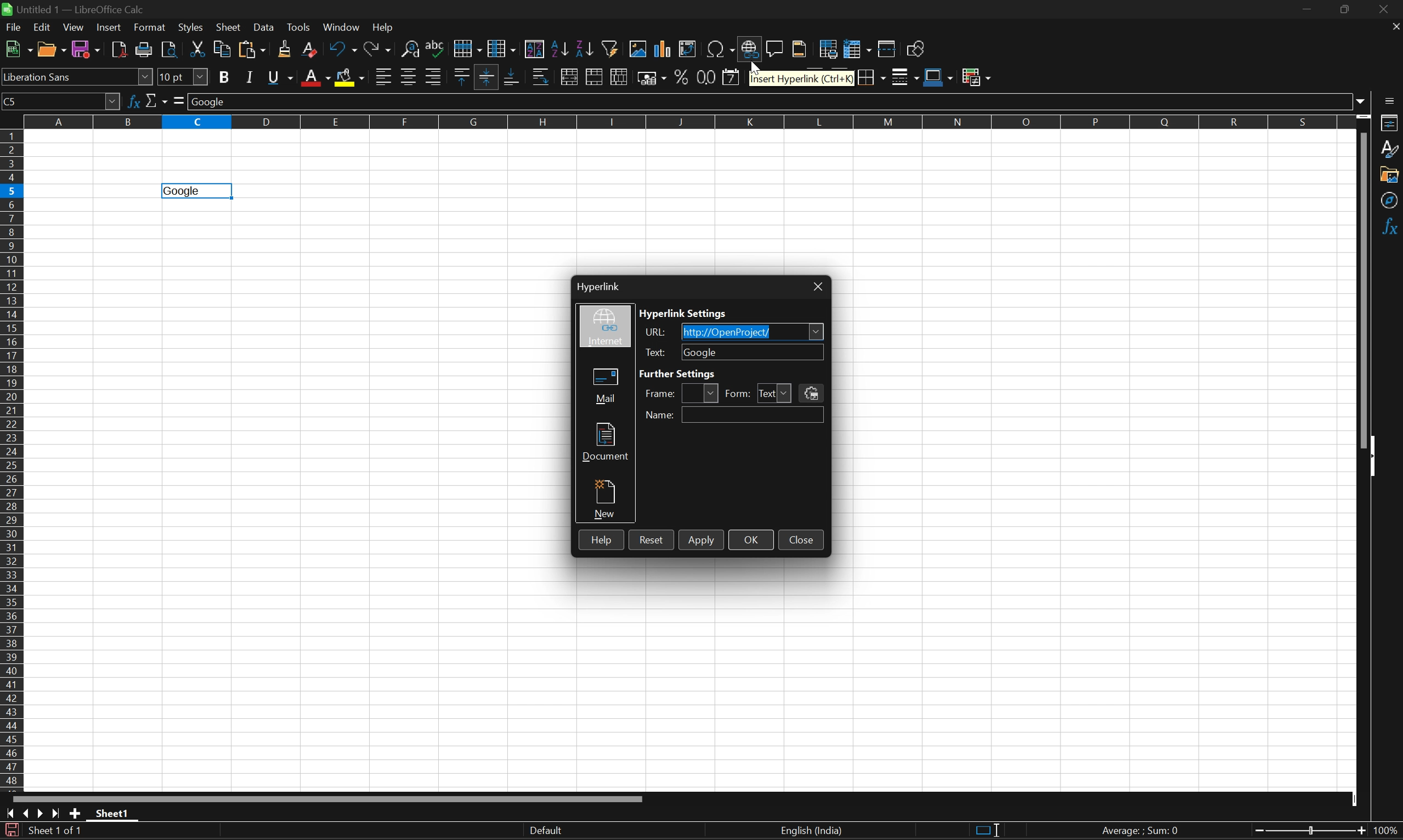  What do you see at coordinates (282, 76) in the screenshot?
I see `Underline` at bounding box center [282, 76].